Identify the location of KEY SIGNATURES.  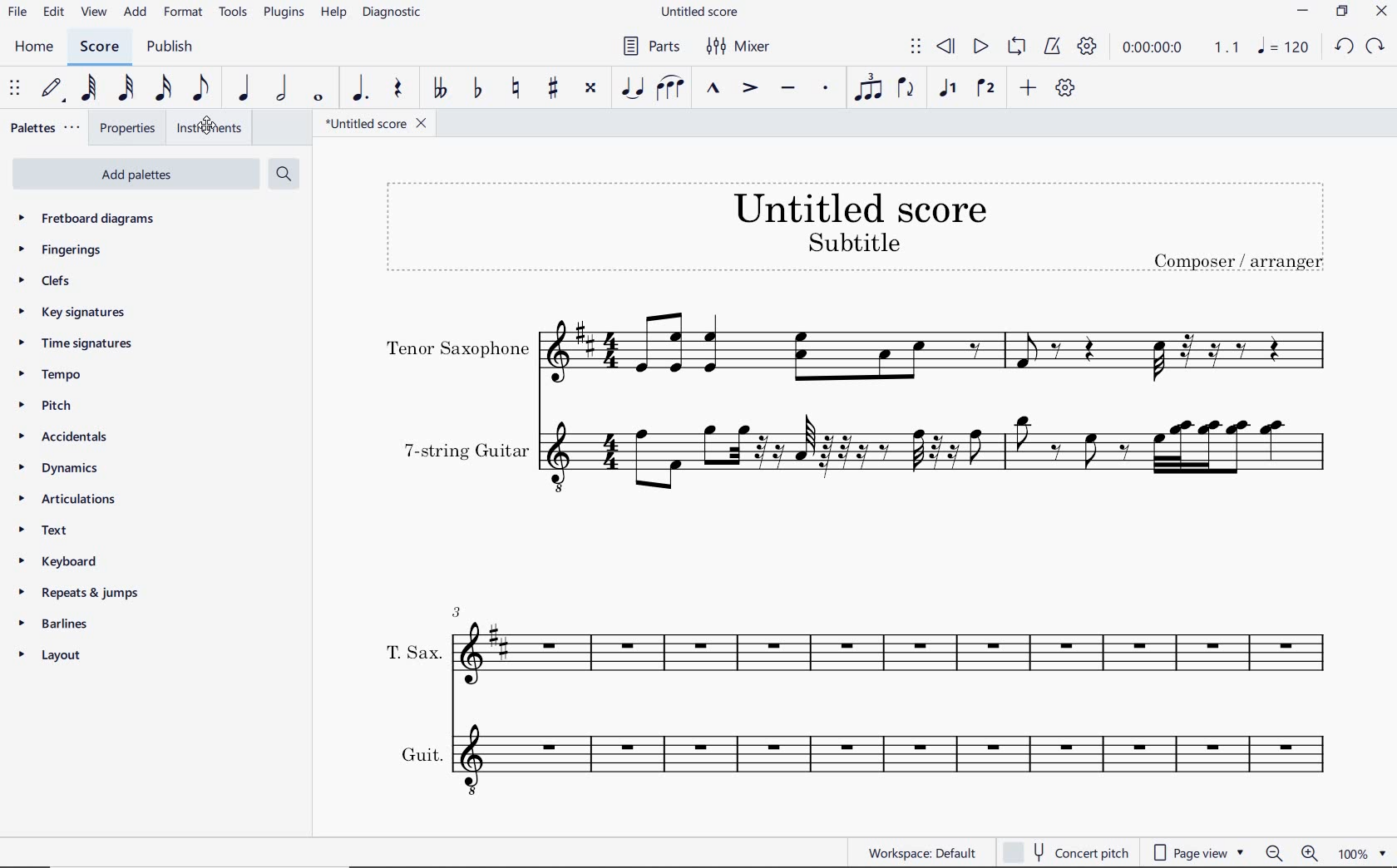
(76, 313).